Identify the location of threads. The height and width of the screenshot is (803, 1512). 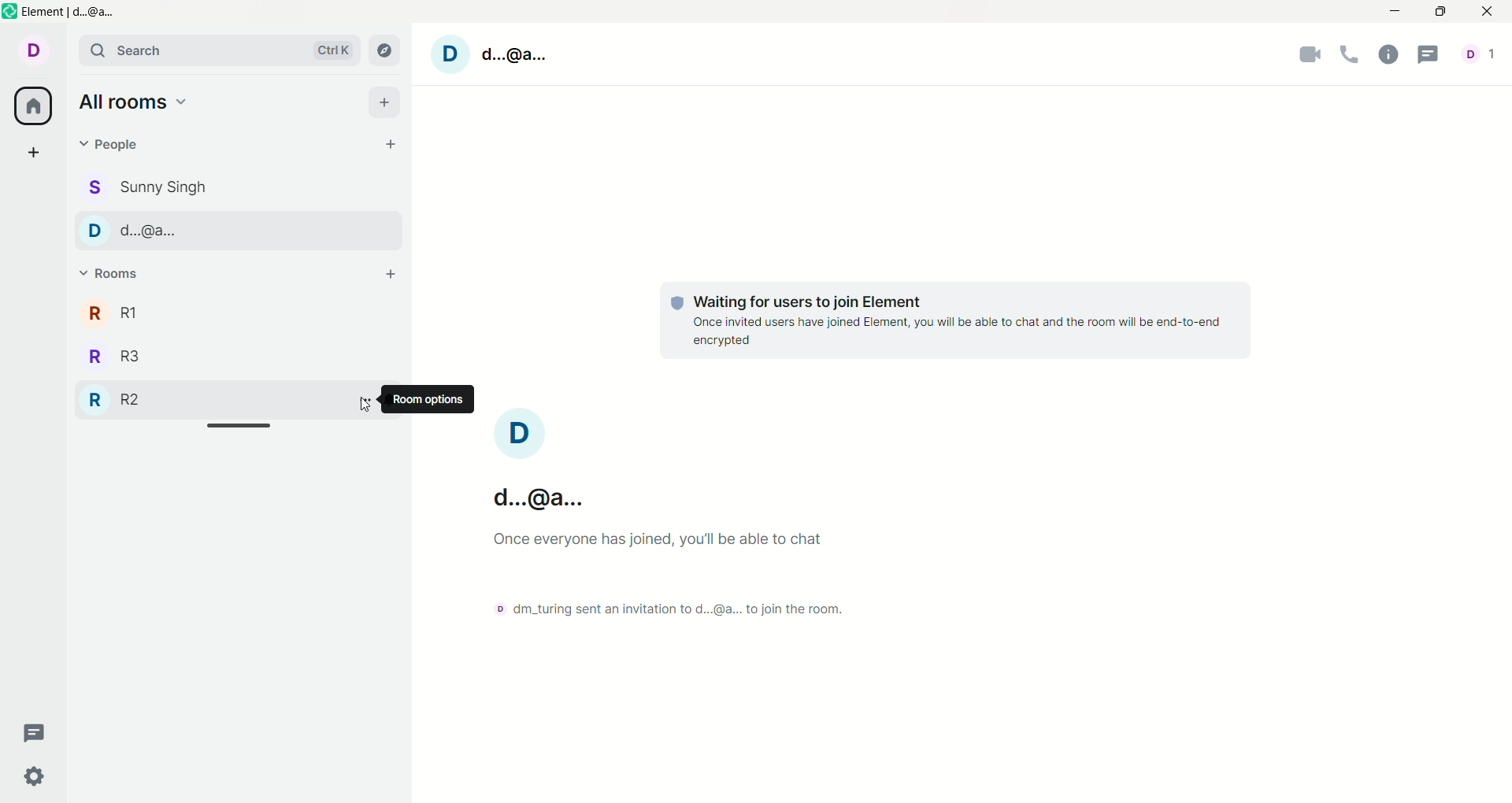
(1431, 57).